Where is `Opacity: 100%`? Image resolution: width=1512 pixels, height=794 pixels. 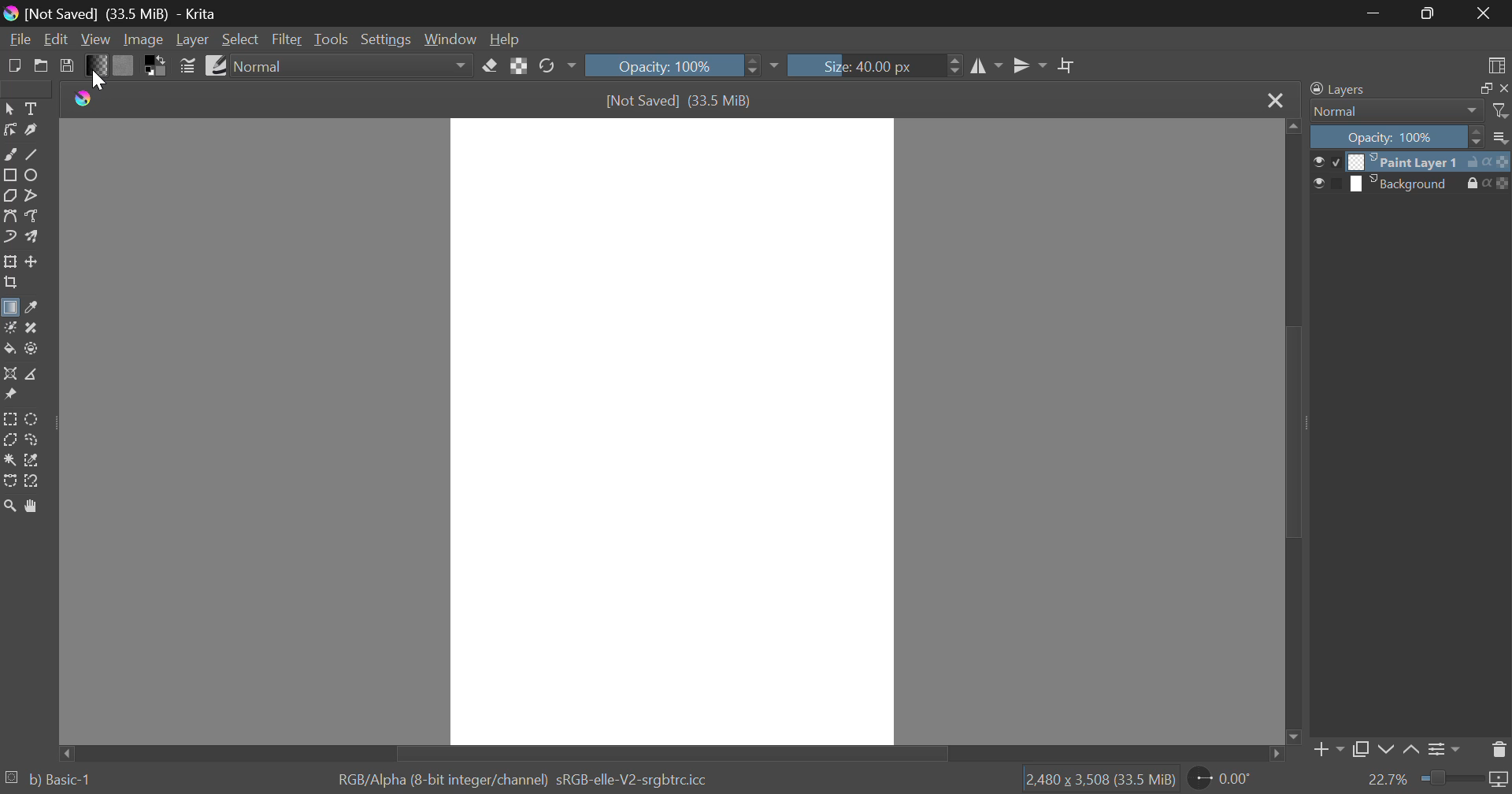 Opacity: 100% is located at coordinates (680, 65).